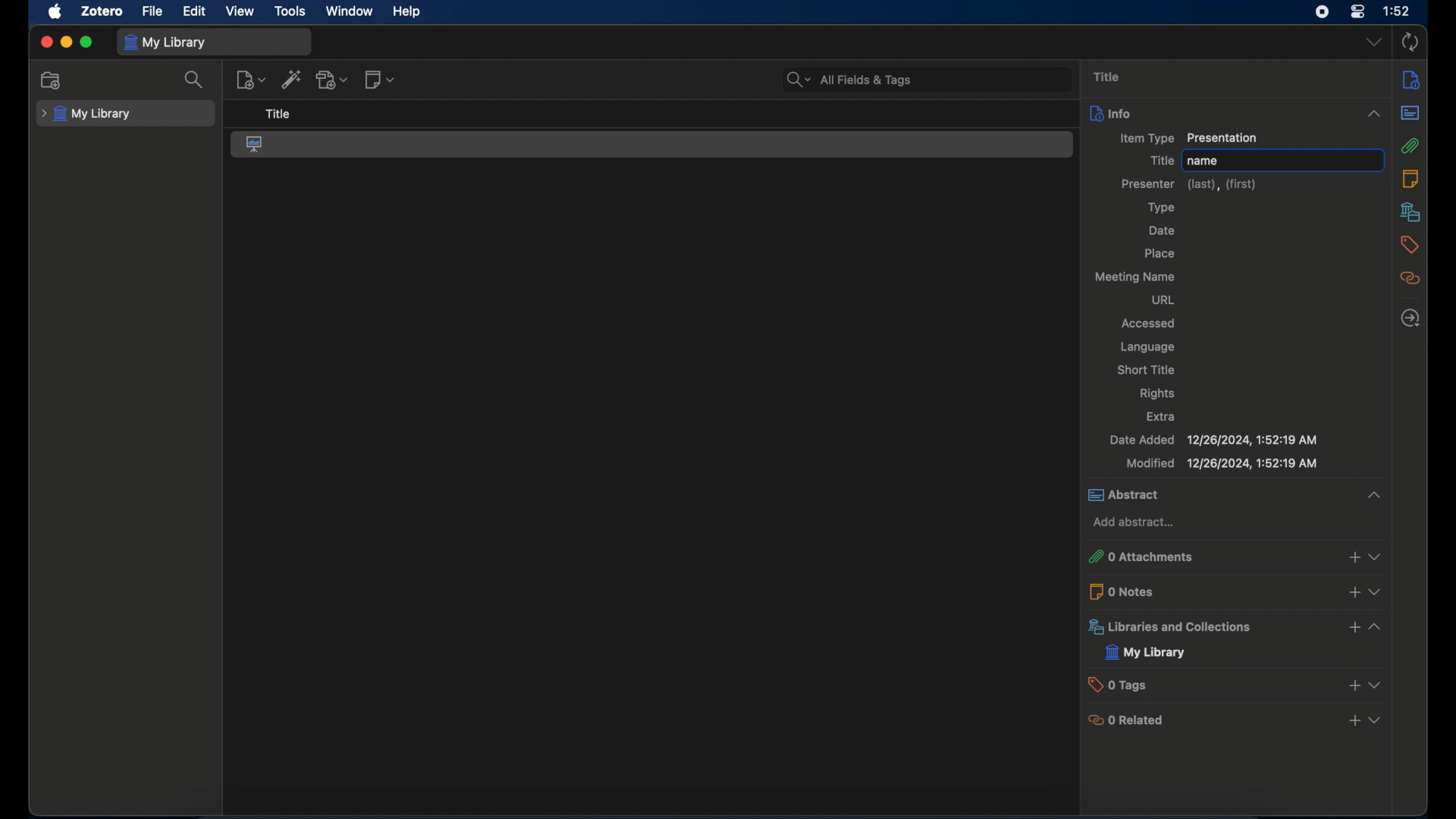 This screenshot has height=819, width=1456. What do you see at coordinates (1161, 300) in the screenshot?
I see `url` at bounding box center [1161, 300].